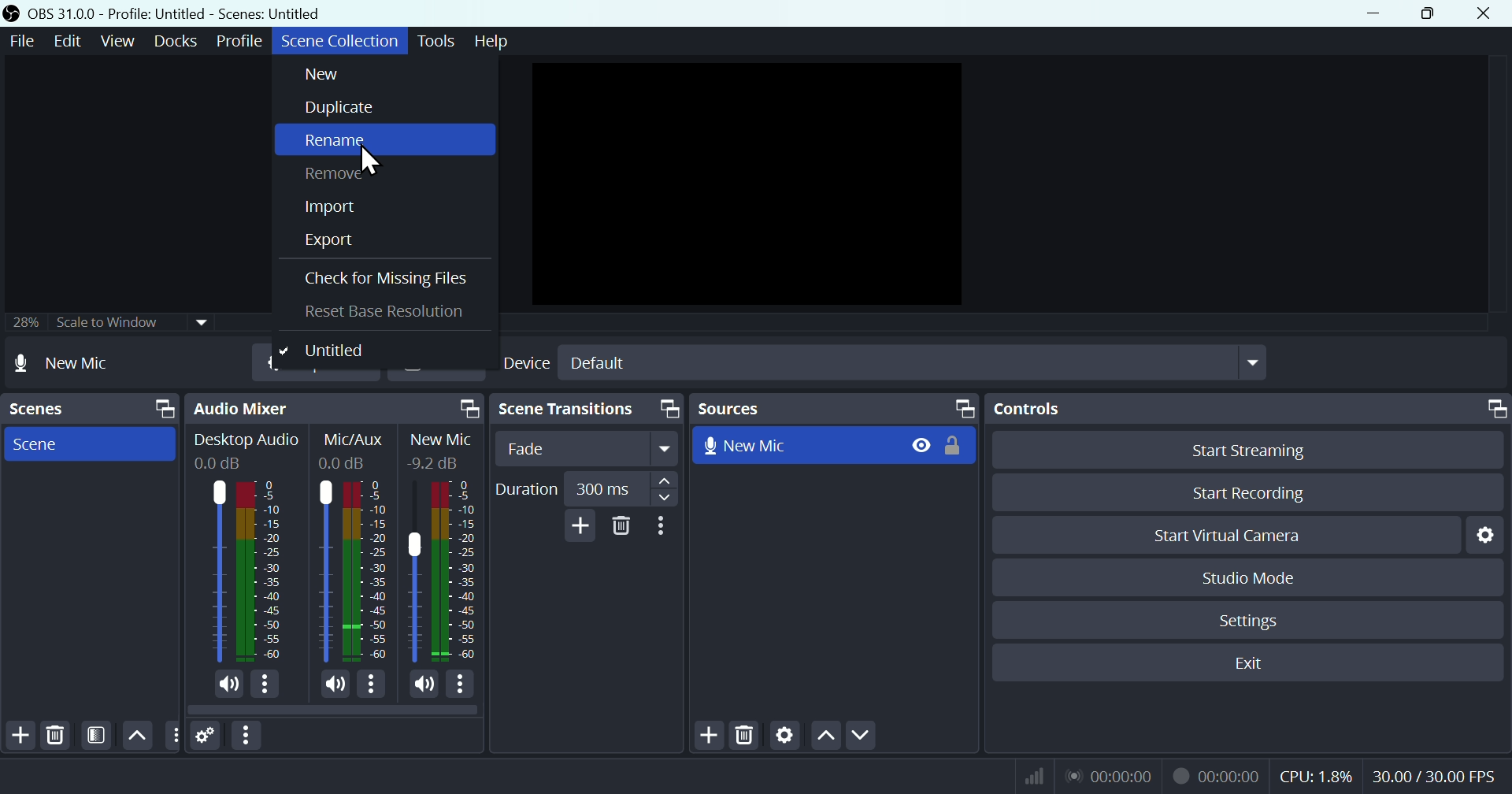 The image size is (1512, 794). Describe the element at coordinates (437, 44) in the screenshot. I see `Tools` at that location.